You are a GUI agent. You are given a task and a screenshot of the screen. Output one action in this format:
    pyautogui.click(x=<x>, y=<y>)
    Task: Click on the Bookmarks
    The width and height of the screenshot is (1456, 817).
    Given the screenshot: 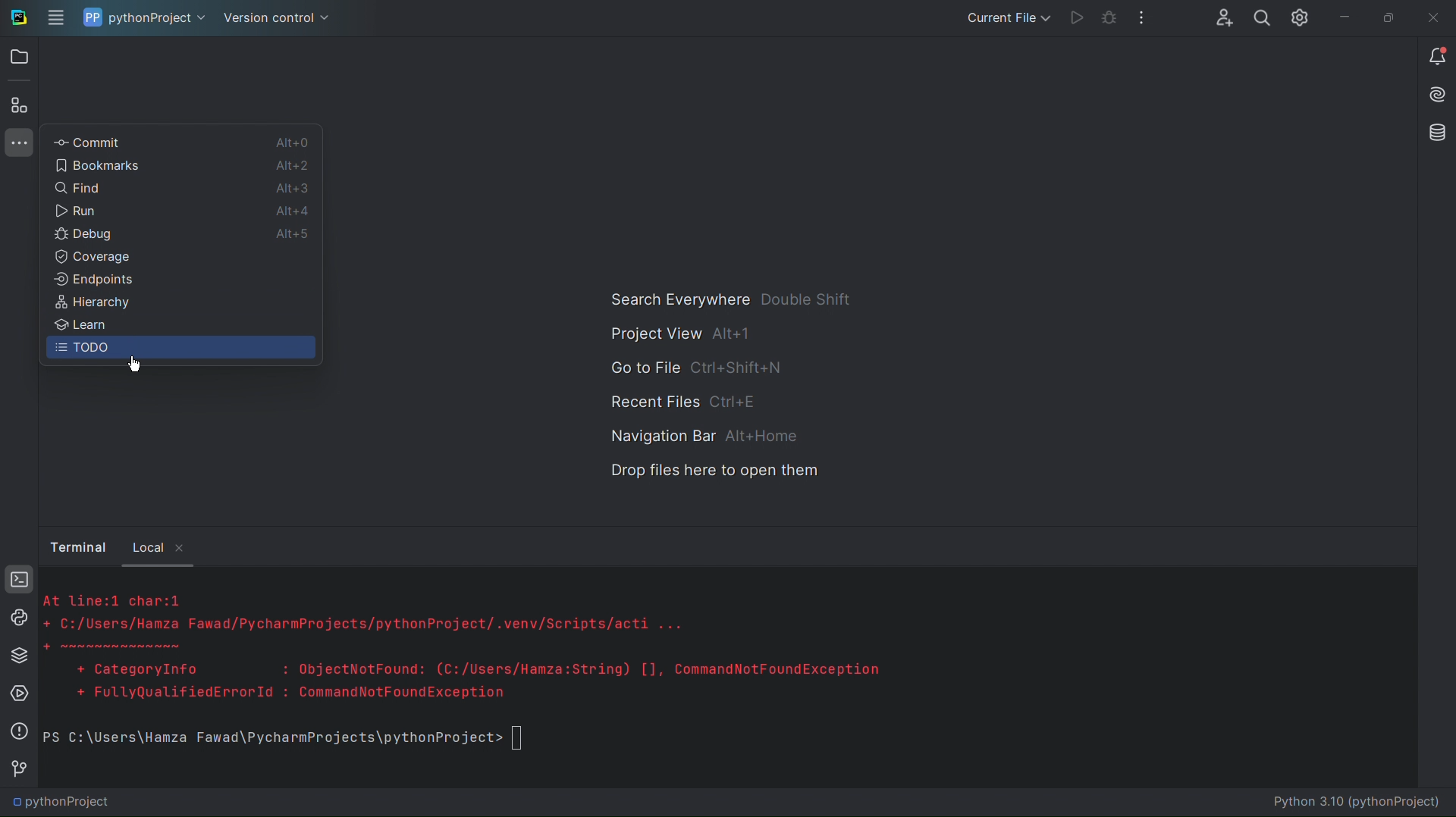 What is the action you would take?
    pyautogui.click(x=129, y=167)
    